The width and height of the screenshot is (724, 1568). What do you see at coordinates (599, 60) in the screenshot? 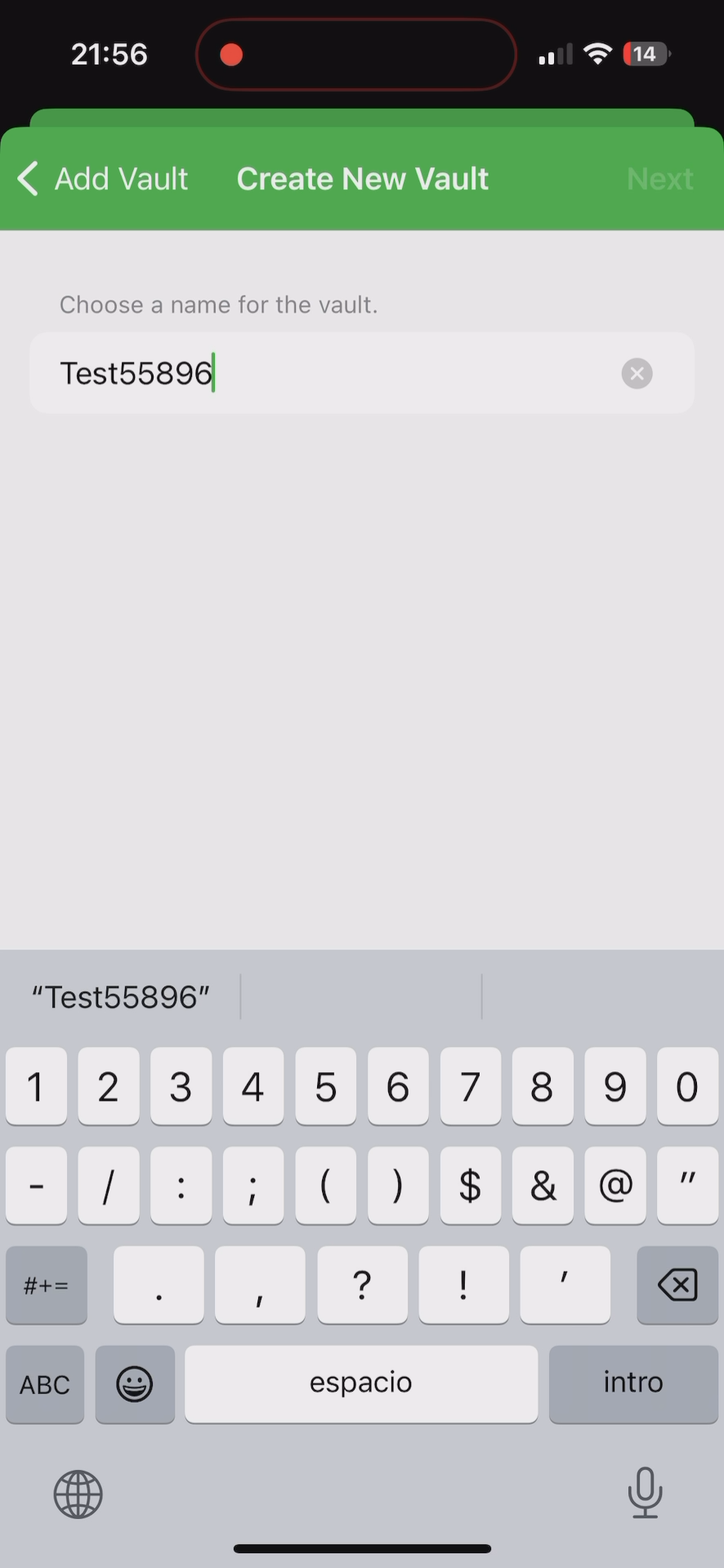
I see `wi-fi` at bounding box center [599, 60].